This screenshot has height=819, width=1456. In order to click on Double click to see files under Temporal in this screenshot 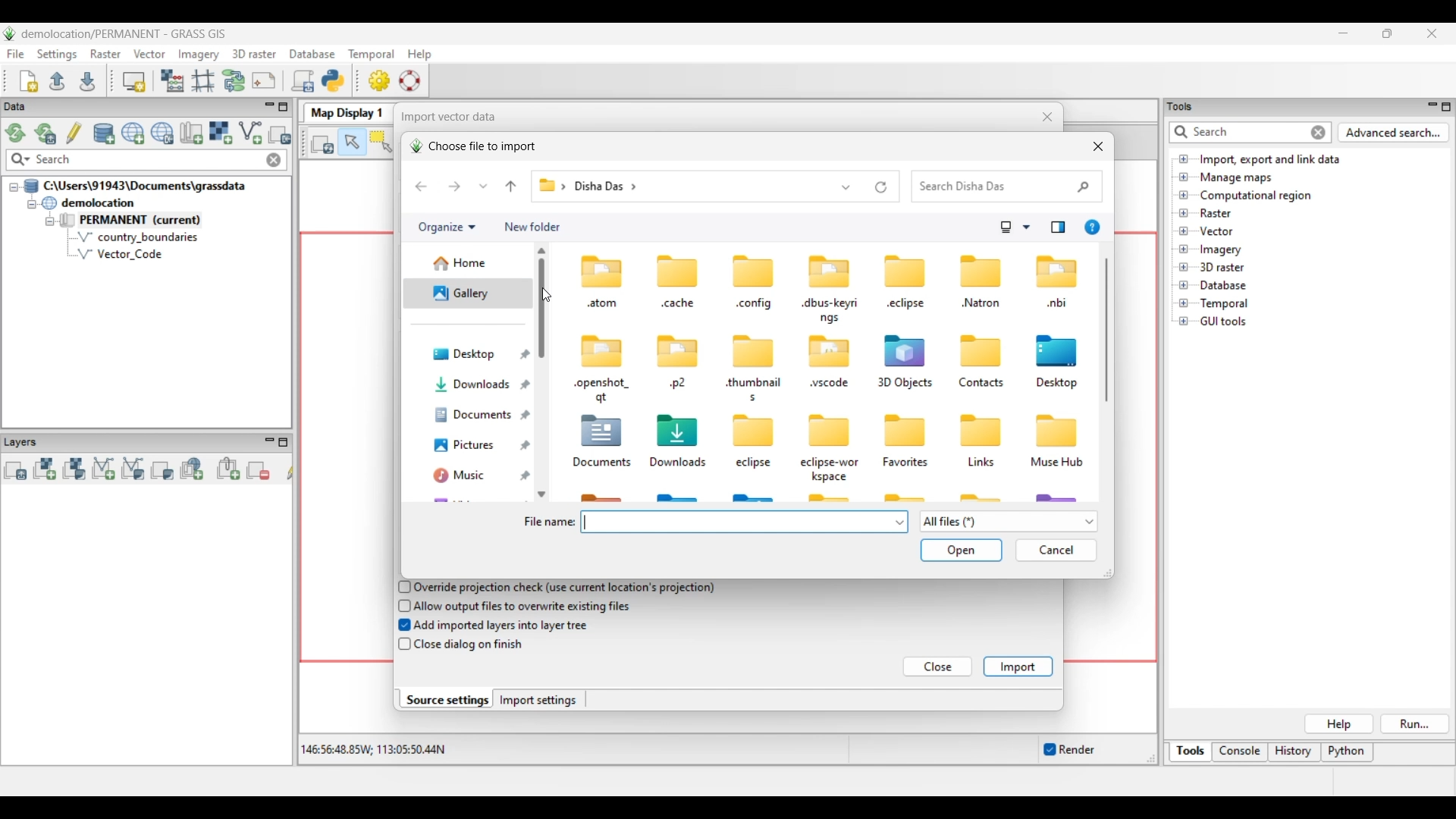, I will do `click(1224, 304)`.